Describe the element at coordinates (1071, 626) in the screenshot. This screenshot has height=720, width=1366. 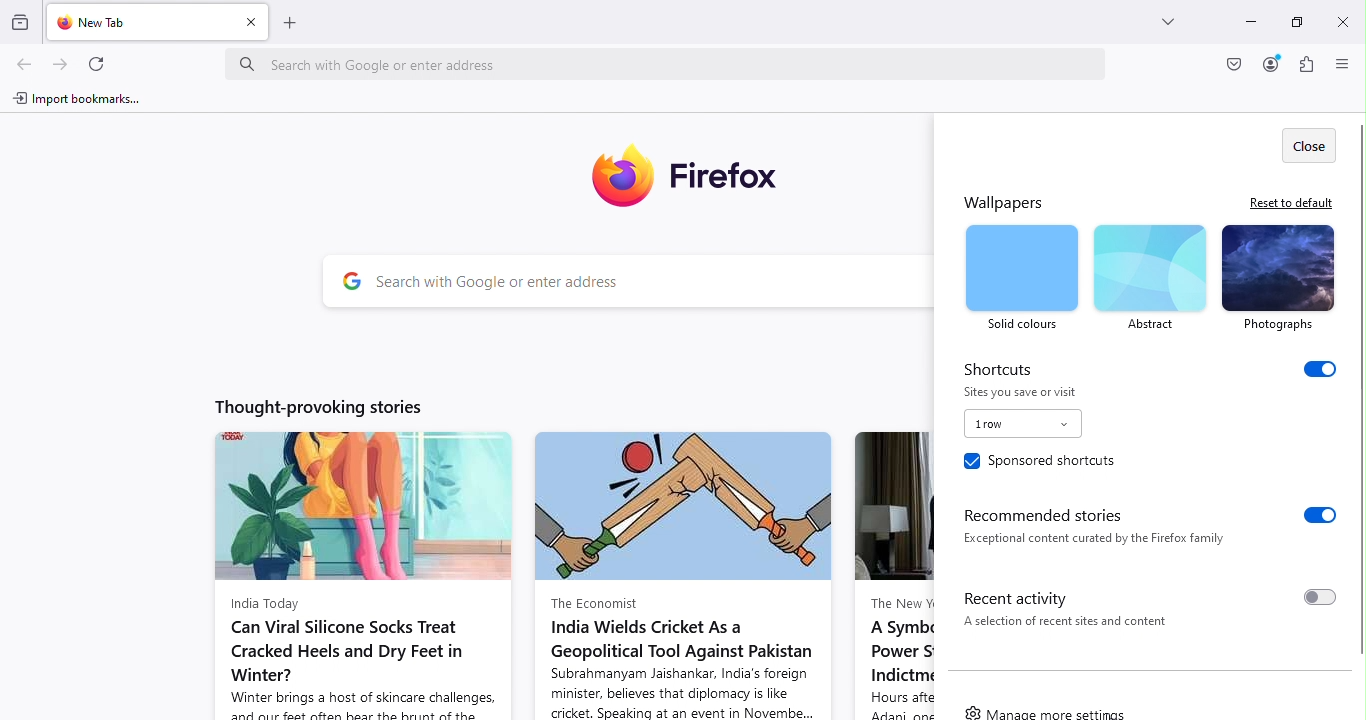
I see `A selection of recent sites and content` at that location.